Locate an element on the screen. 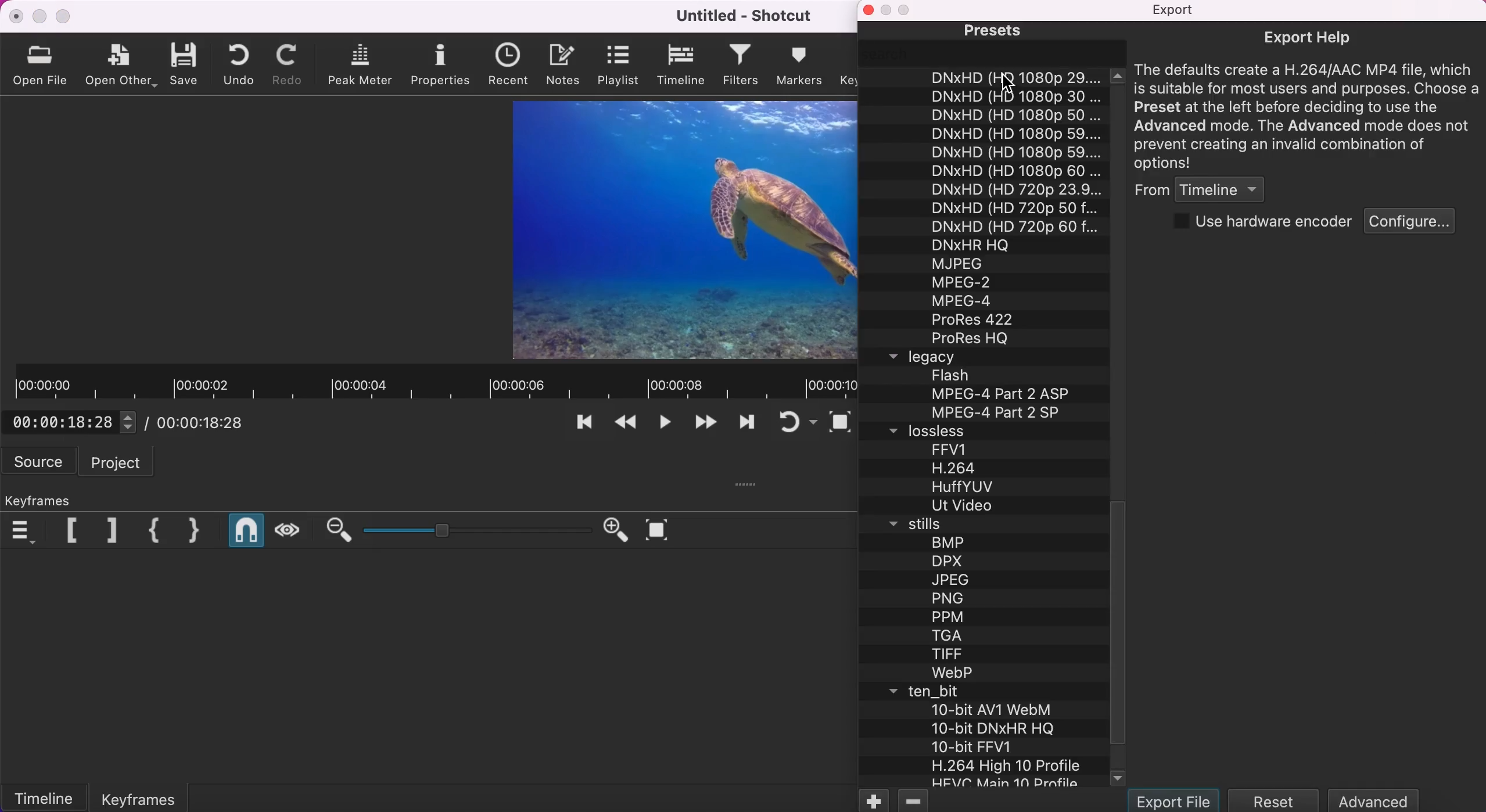 This screenshot has width=1486, height=812. list of ten_bit presets is located at coordinates (1006, 744).